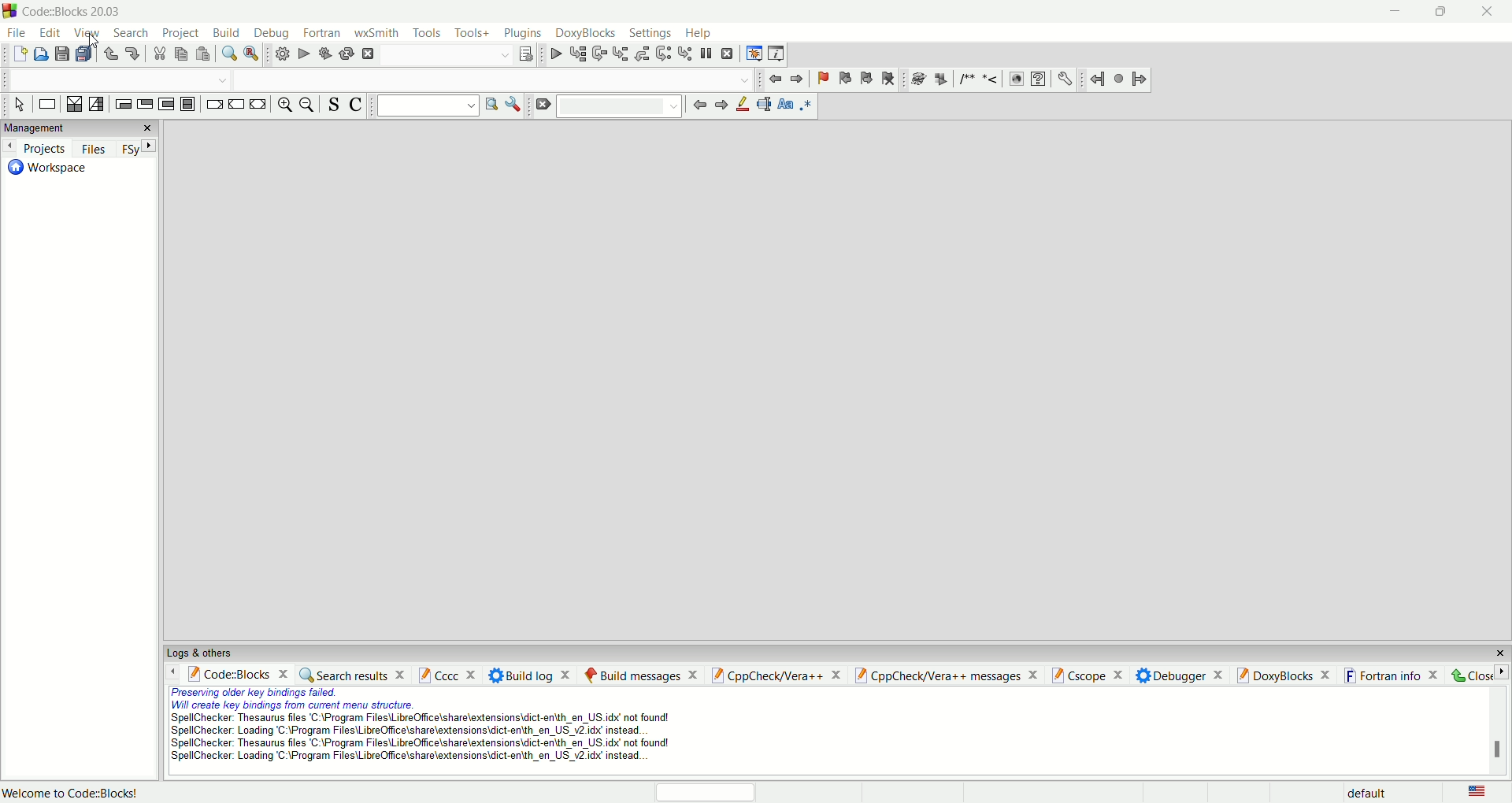  What do you see at coordinates (621, 56) in the screenshot?
I see `step into` at bounding box center [621, 56].